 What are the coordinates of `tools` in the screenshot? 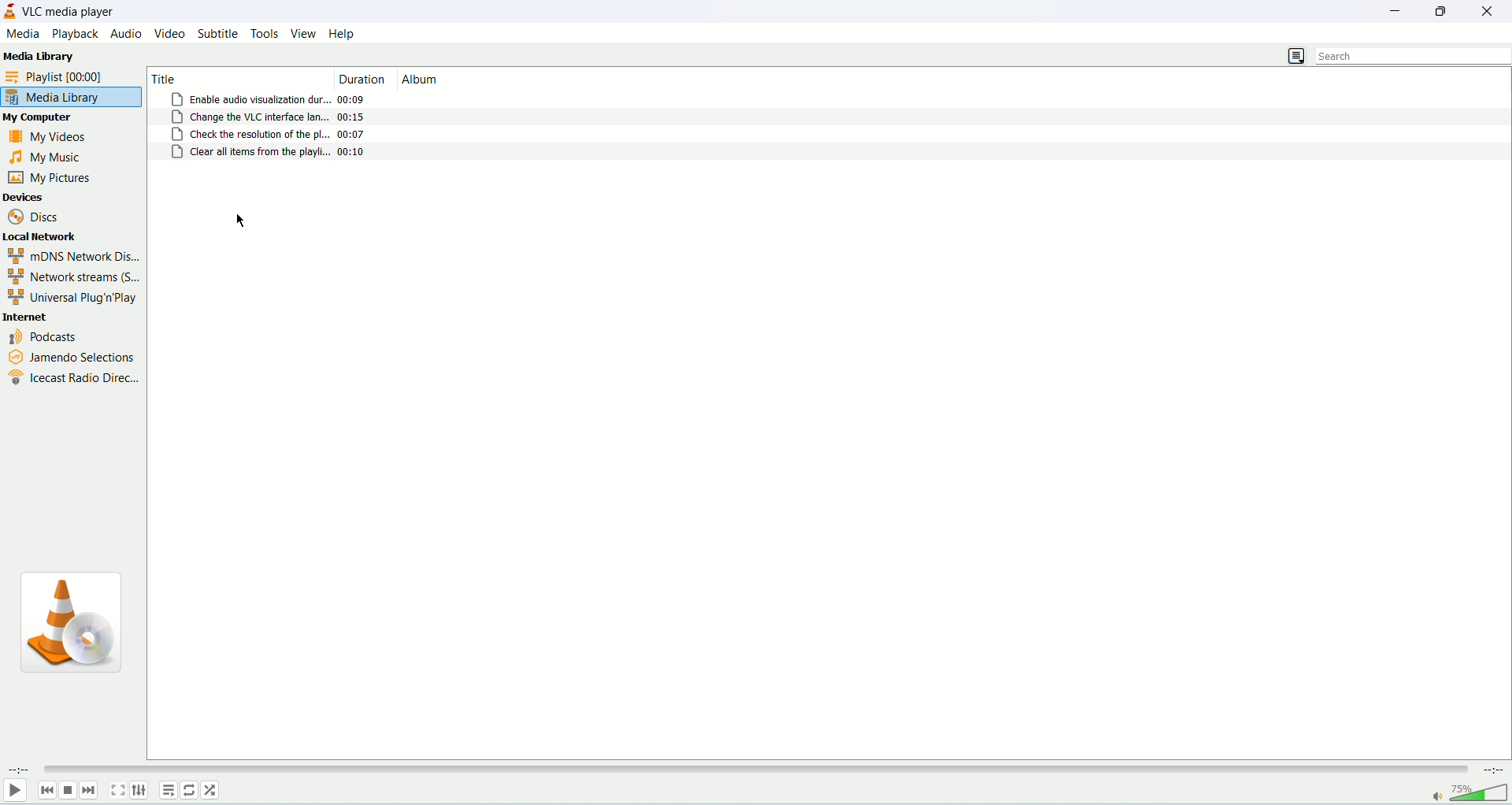 It's located at (265, 34).